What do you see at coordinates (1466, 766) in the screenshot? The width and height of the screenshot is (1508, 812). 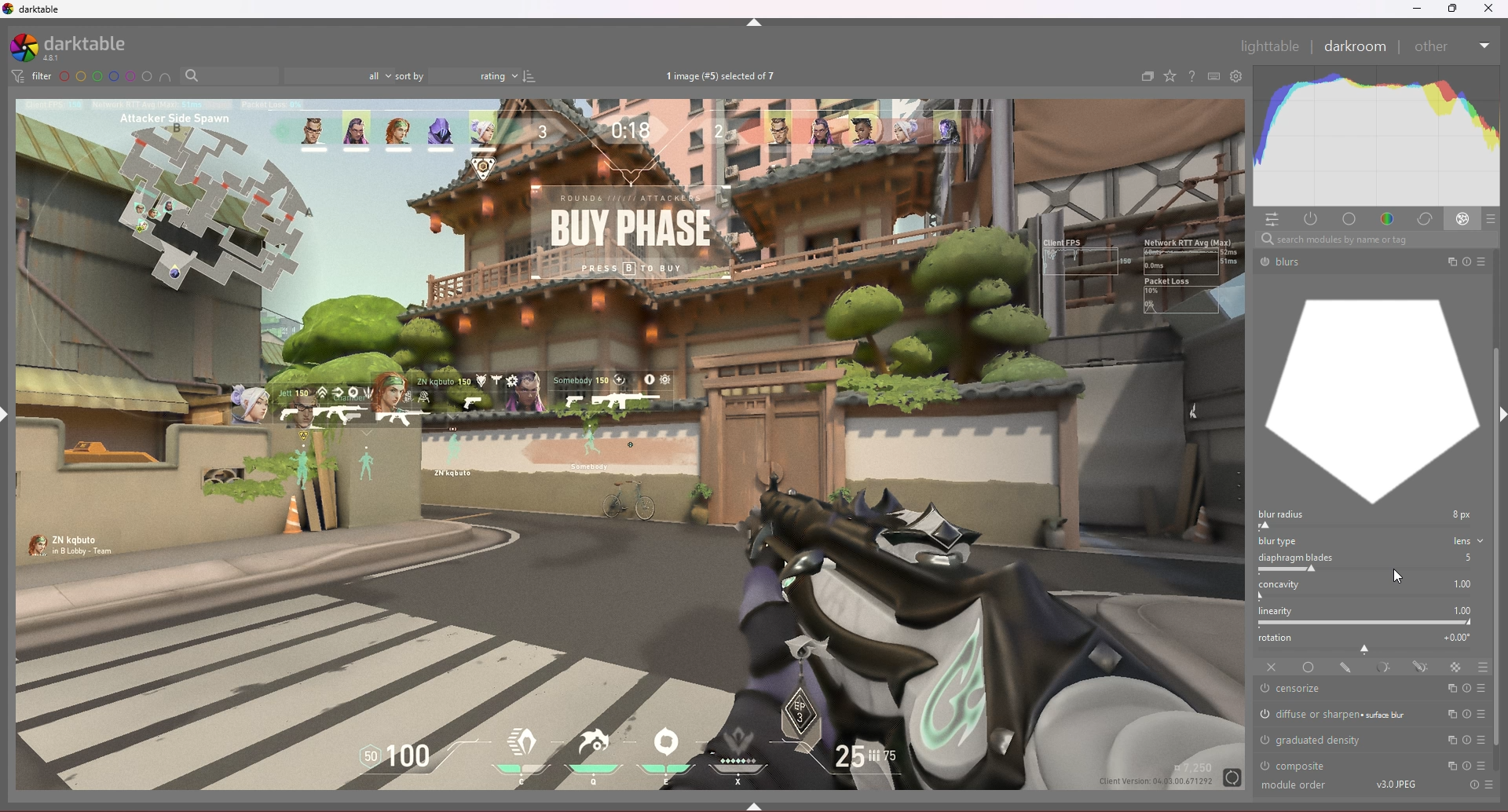 I see `reset` at bounding box center [1466, 766].